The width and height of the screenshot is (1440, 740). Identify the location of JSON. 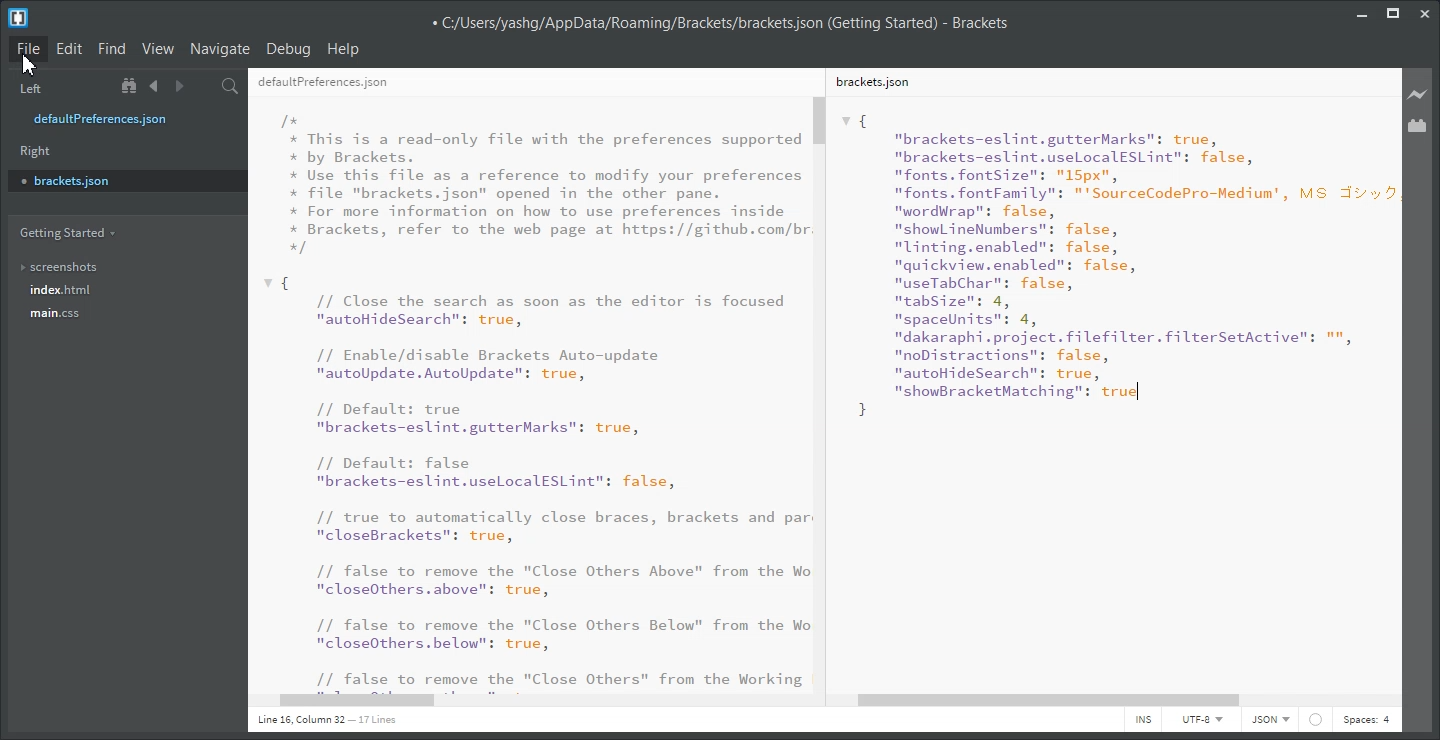
(1271, 720).